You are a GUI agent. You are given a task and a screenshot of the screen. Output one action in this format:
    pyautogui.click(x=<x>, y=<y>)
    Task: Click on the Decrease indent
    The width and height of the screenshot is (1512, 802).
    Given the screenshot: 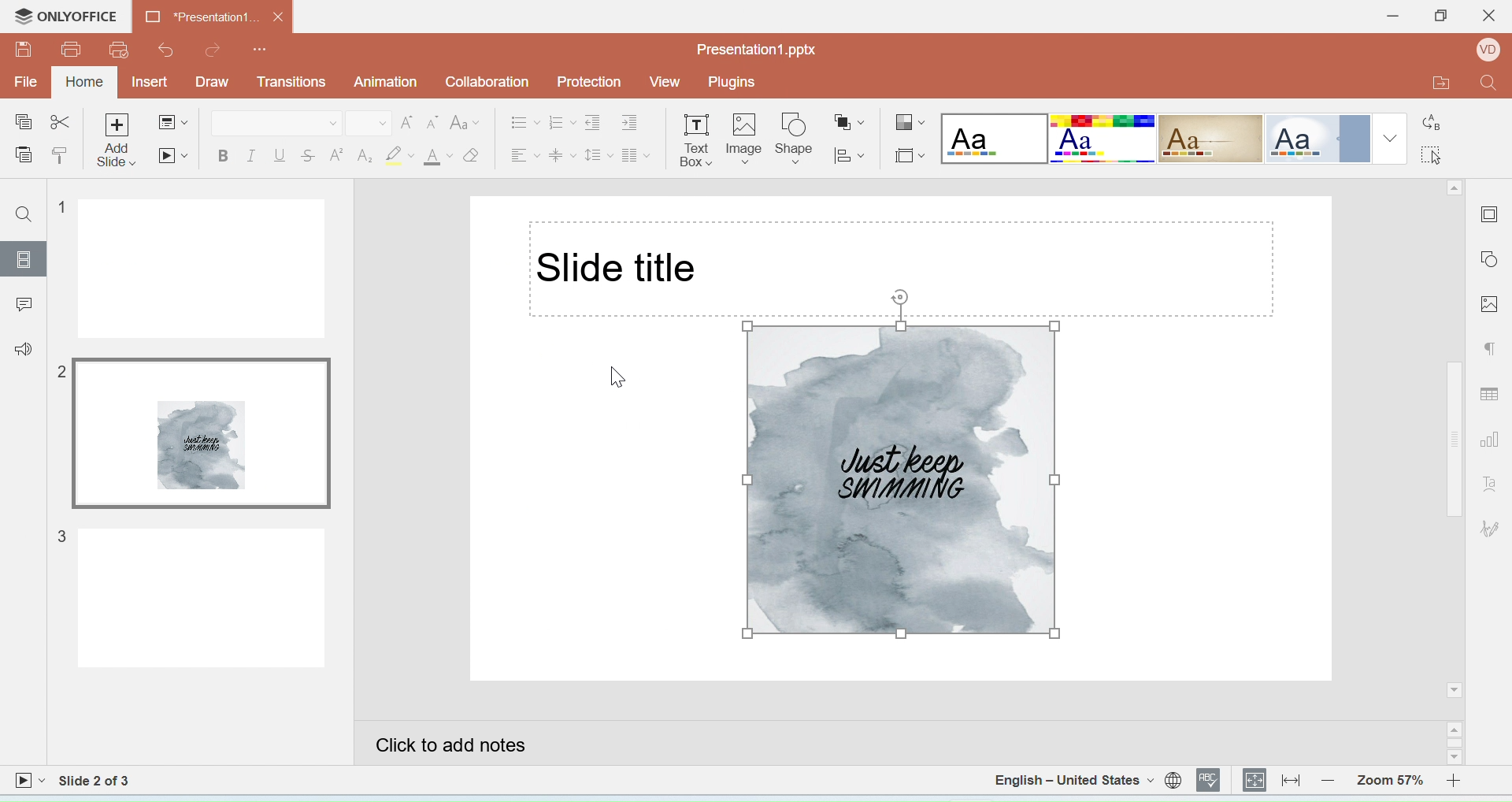 What is the action you would take?
    pyautogui.click(x=596, y=121)
    